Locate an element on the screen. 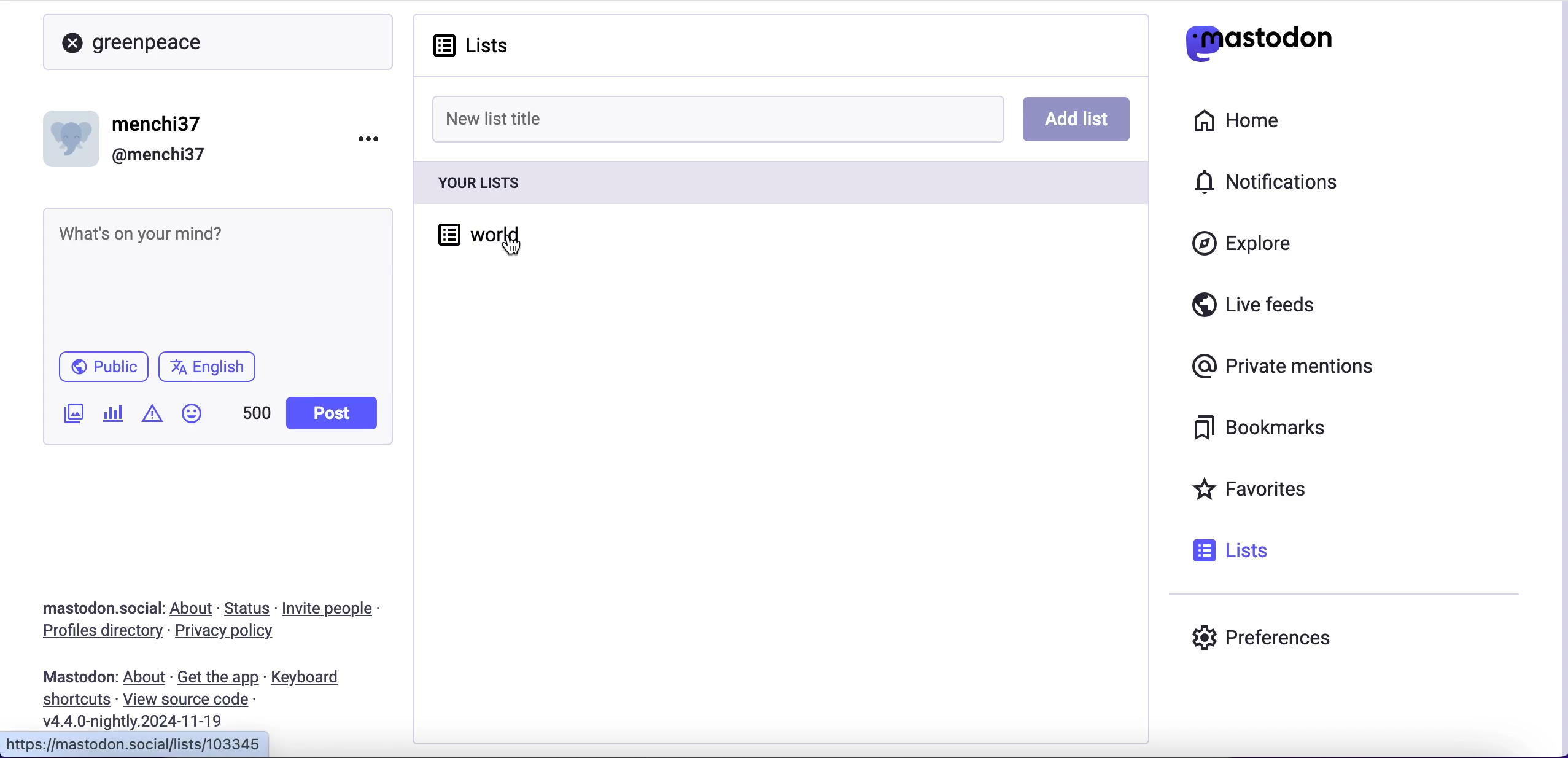  mastodon social is located at coordinates (86, 609).